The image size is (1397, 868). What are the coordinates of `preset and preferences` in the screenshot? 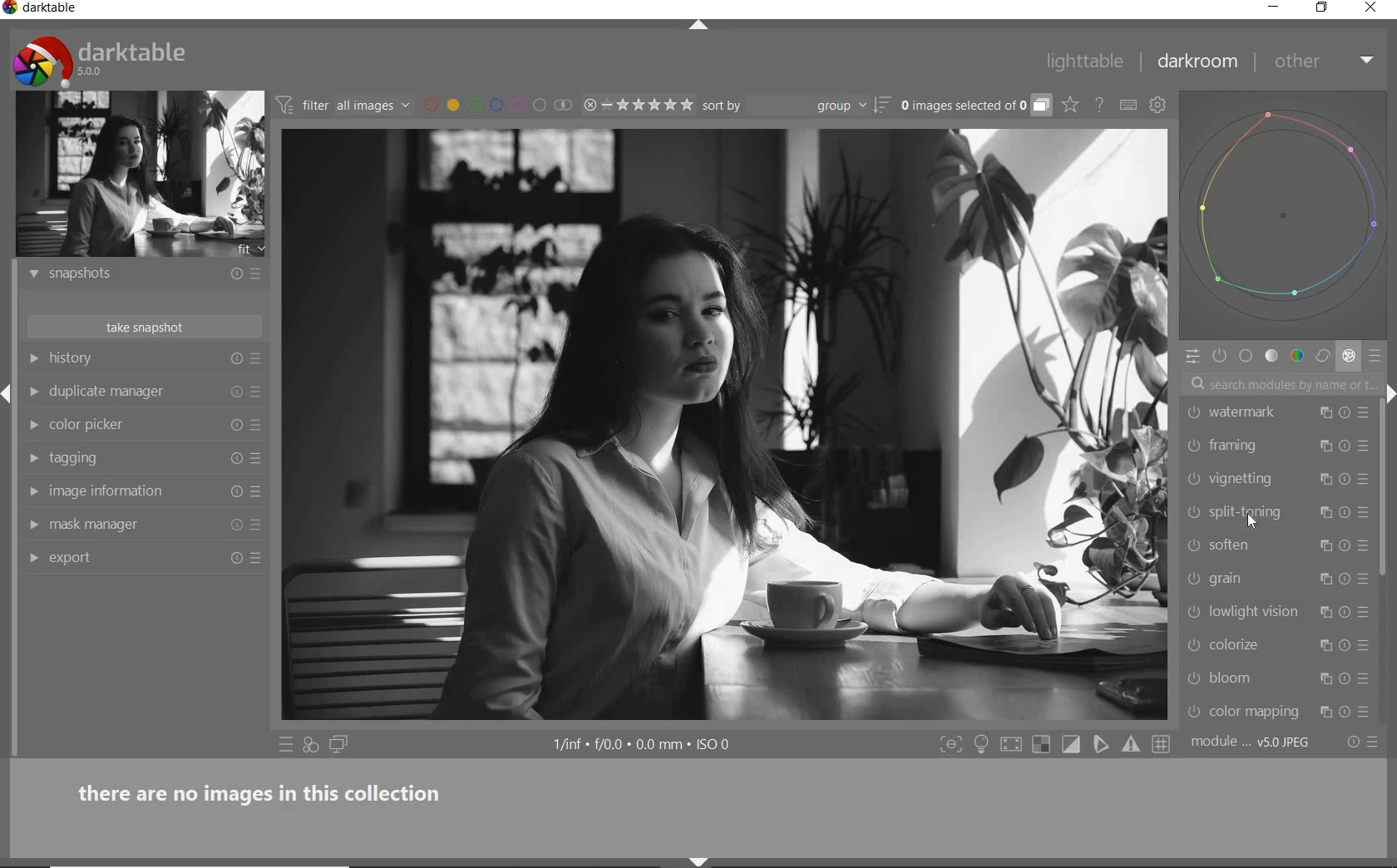 It's located at (1365, 446).